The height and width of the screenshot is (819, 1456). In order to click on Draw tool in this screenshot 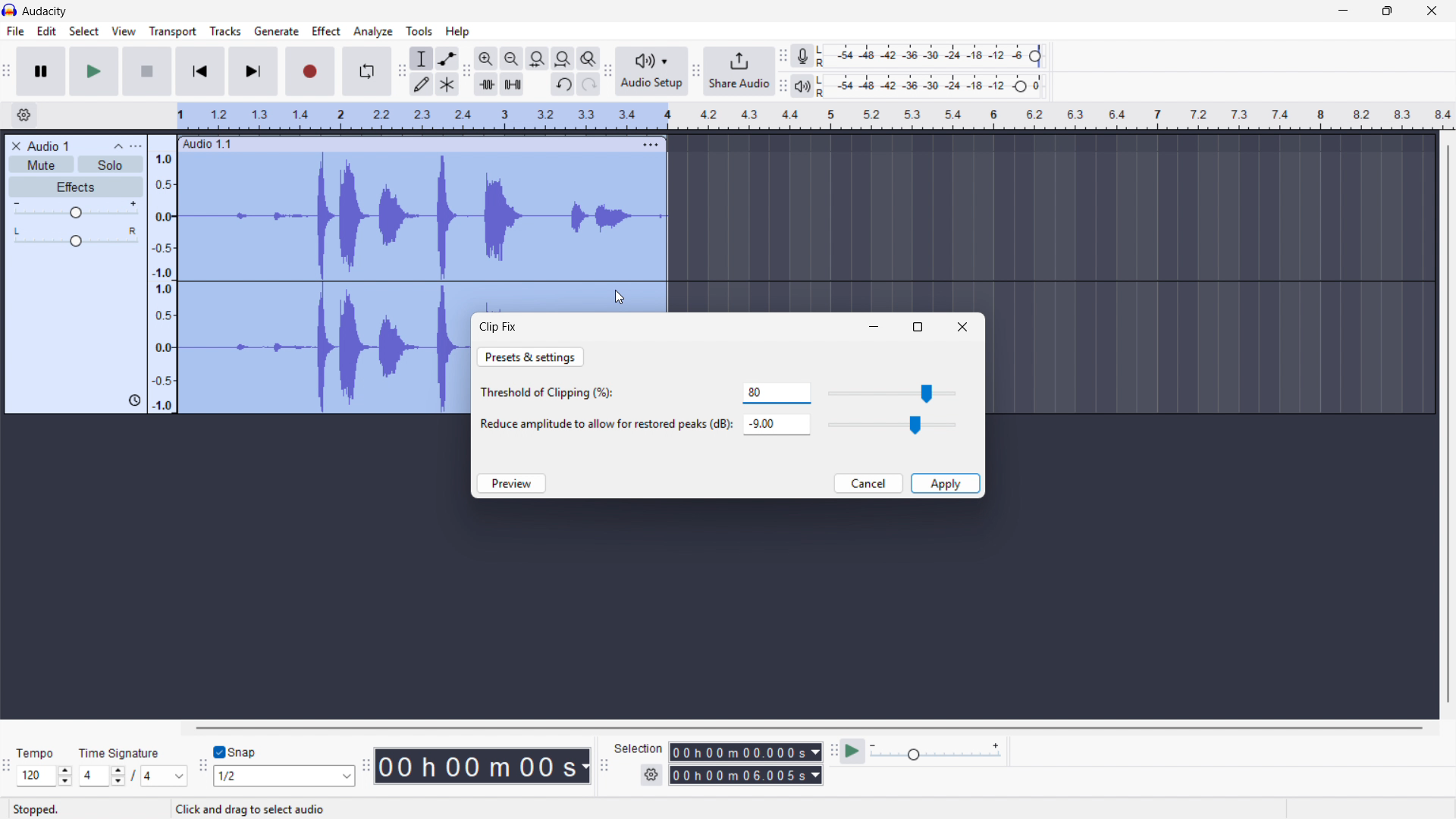, I will do `click(422, 83)`.